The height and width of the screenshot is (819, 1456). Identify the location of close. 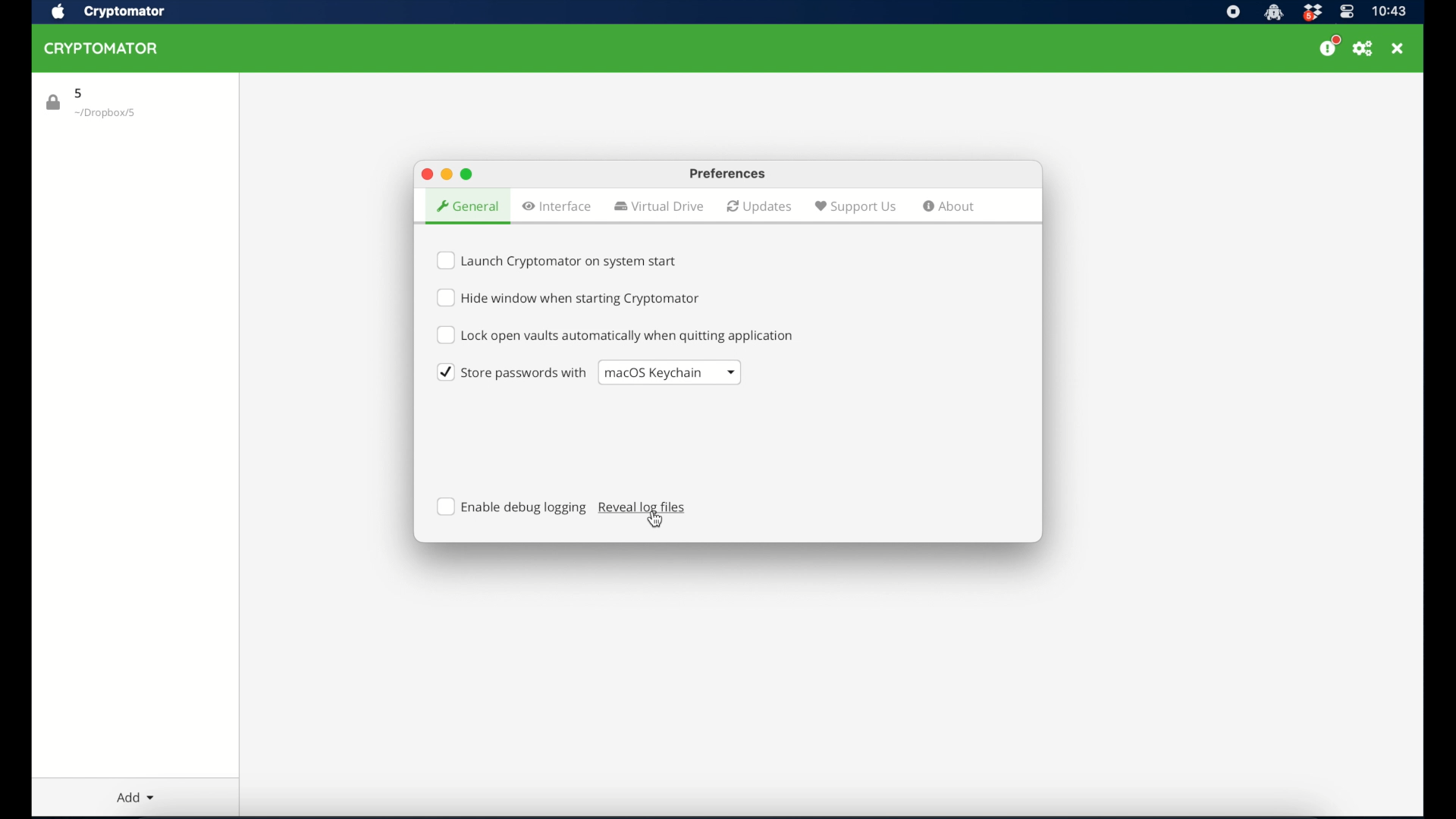
(427, 174).